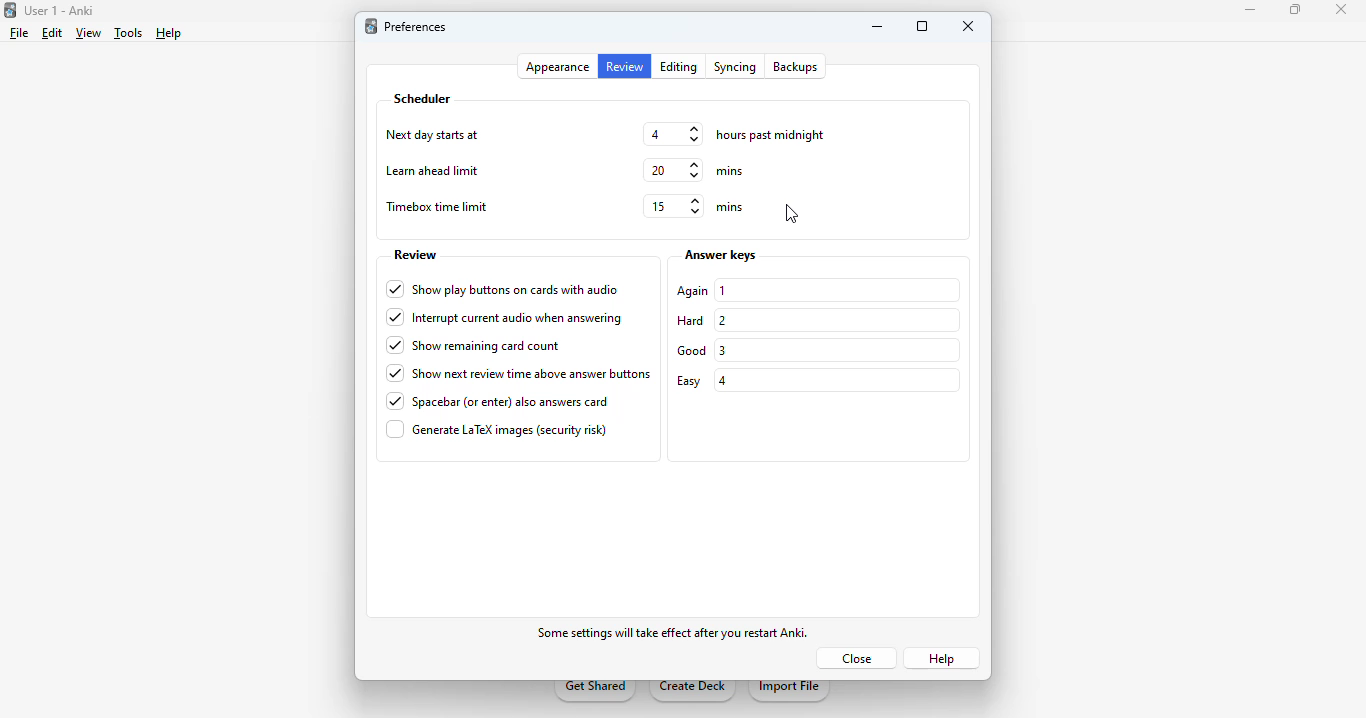 This screenshot has height=718, width=1366. I want to click on scheduler, so click(423, 99).